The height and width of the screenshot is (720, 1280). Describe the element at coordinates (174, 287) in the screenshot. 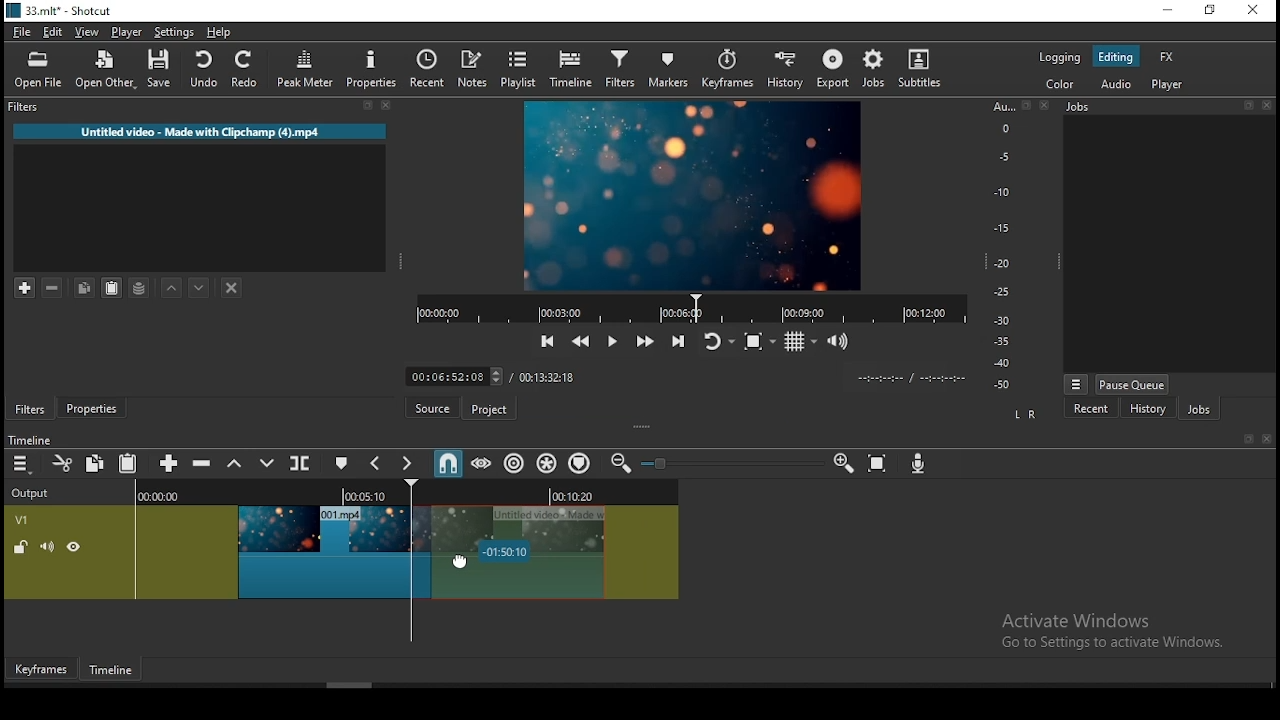

I see `move filter up` at that location.